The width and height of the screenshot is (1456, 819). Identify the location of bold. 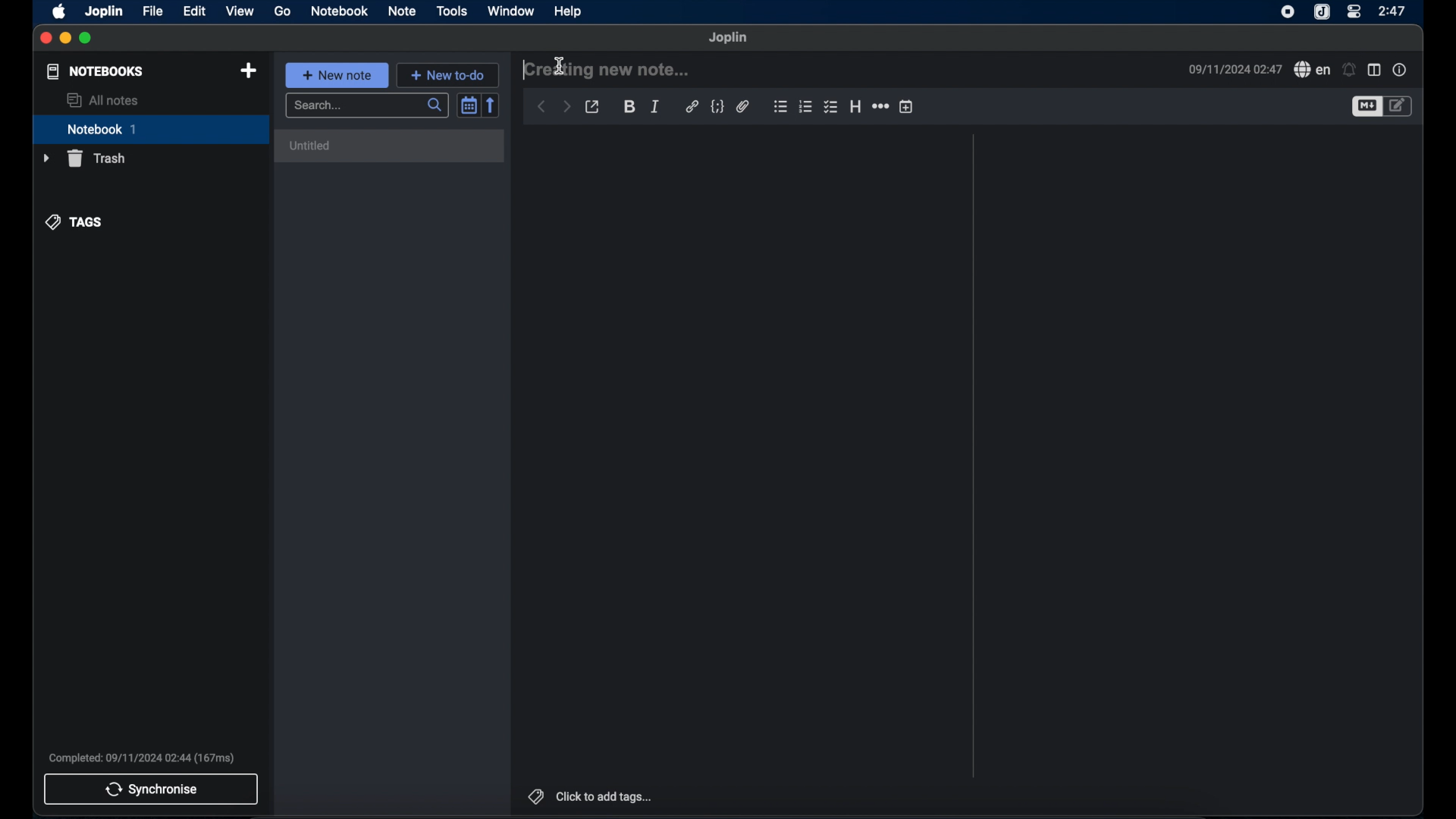
(629, 107).